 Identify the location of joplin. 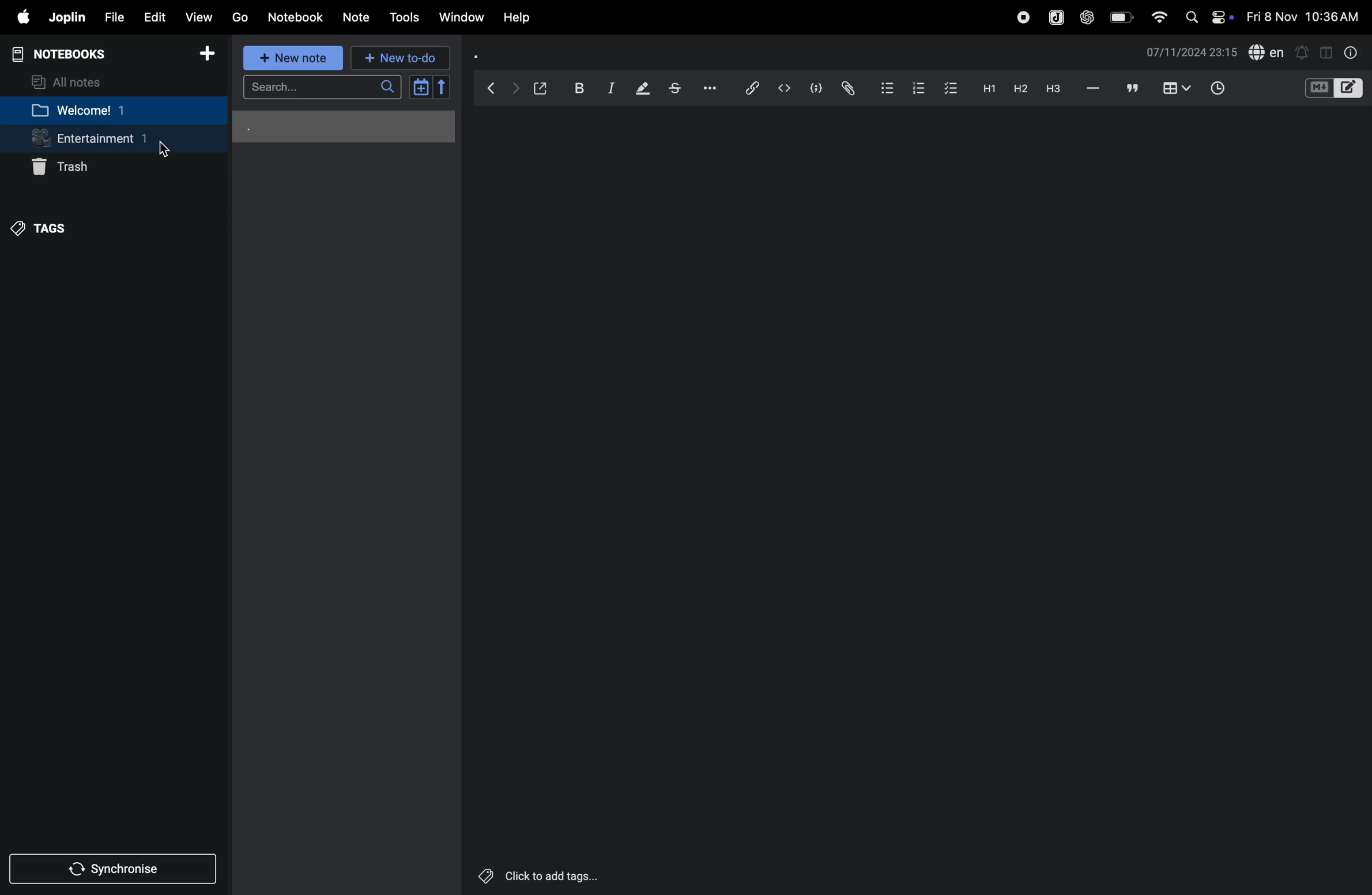
(1055, 17).